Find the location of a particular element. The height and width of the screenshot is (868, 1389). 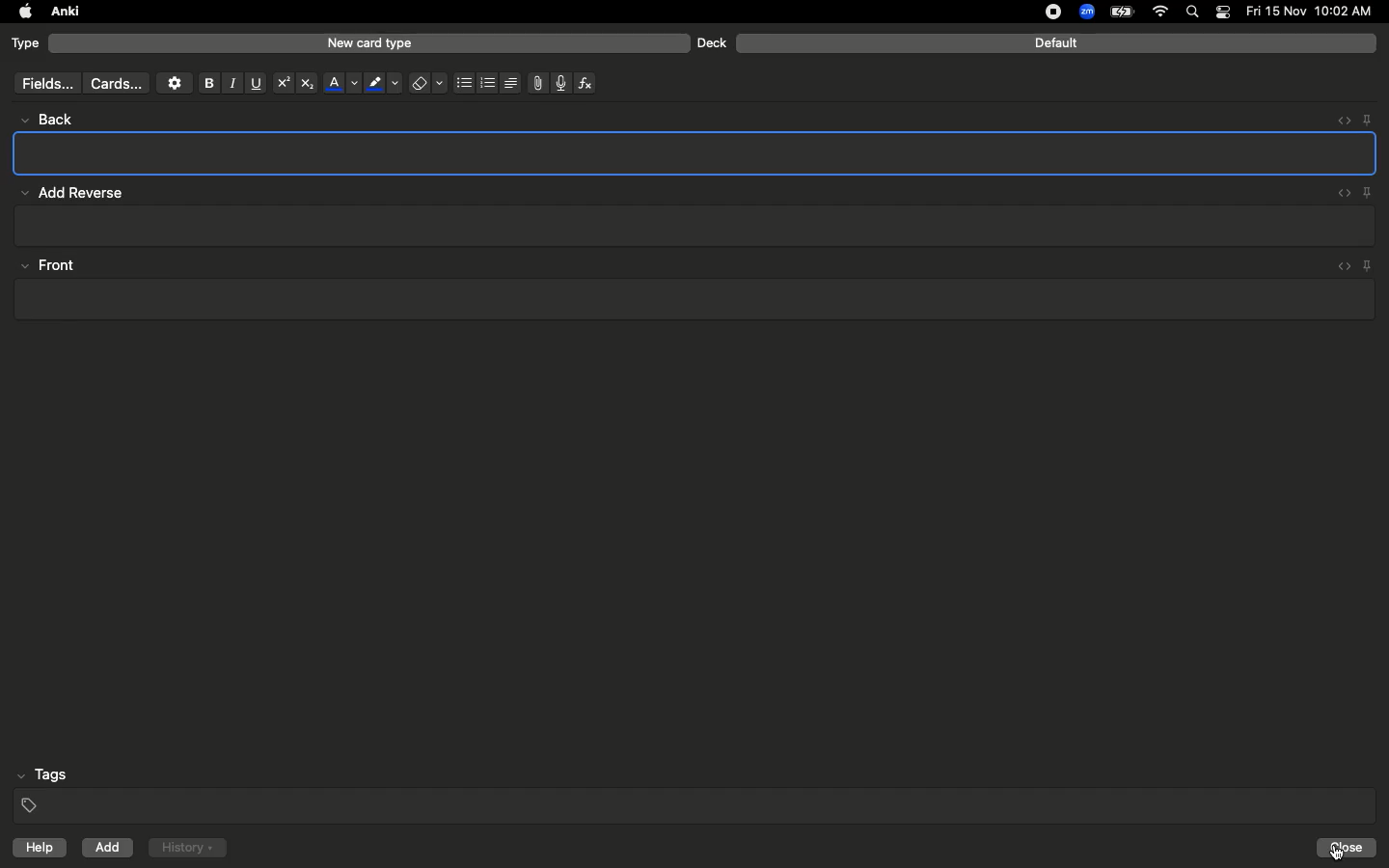

Pin is located at coordinates (1369, 192).